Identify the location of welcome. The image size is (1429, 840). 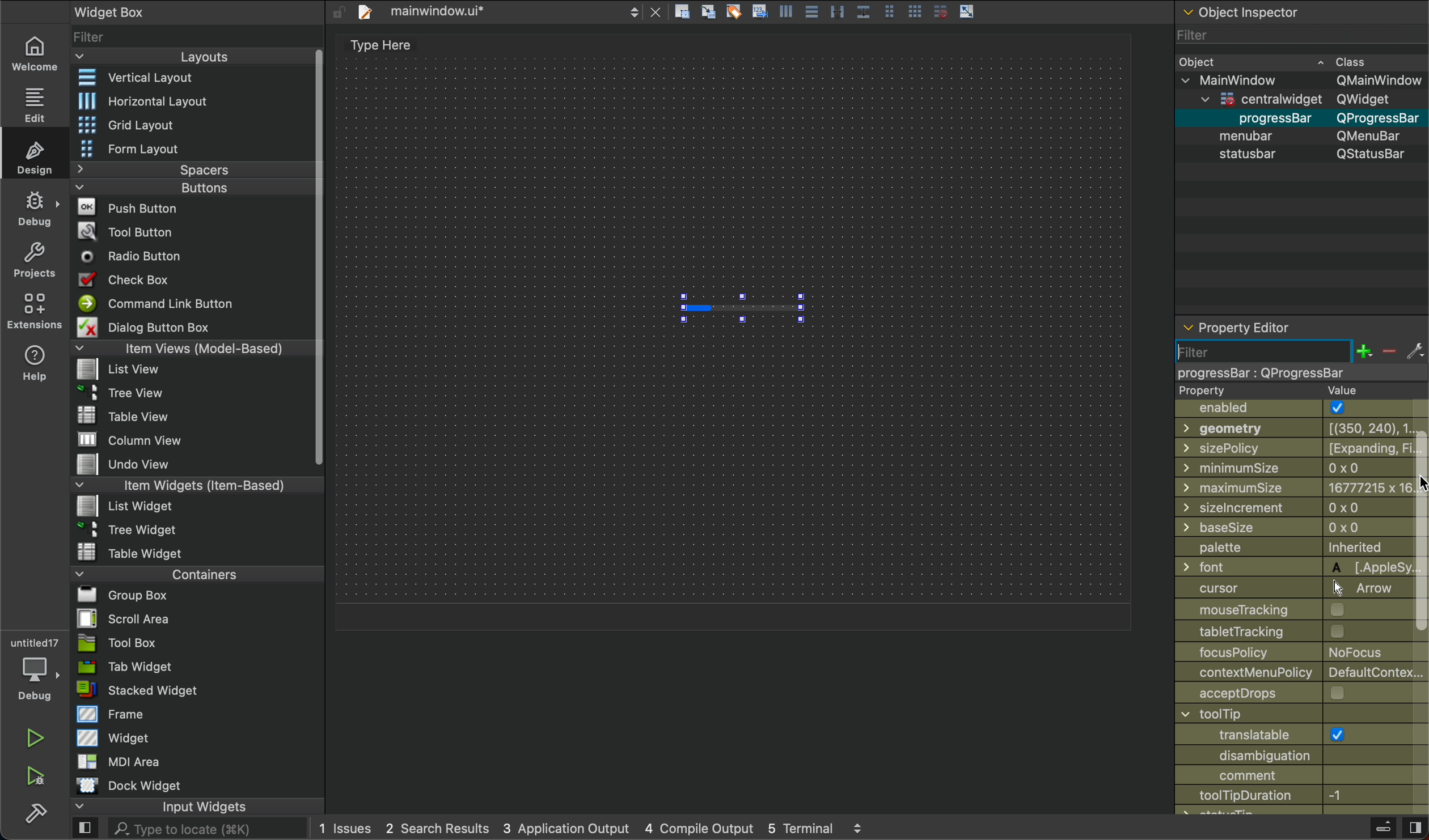
(33, 52).